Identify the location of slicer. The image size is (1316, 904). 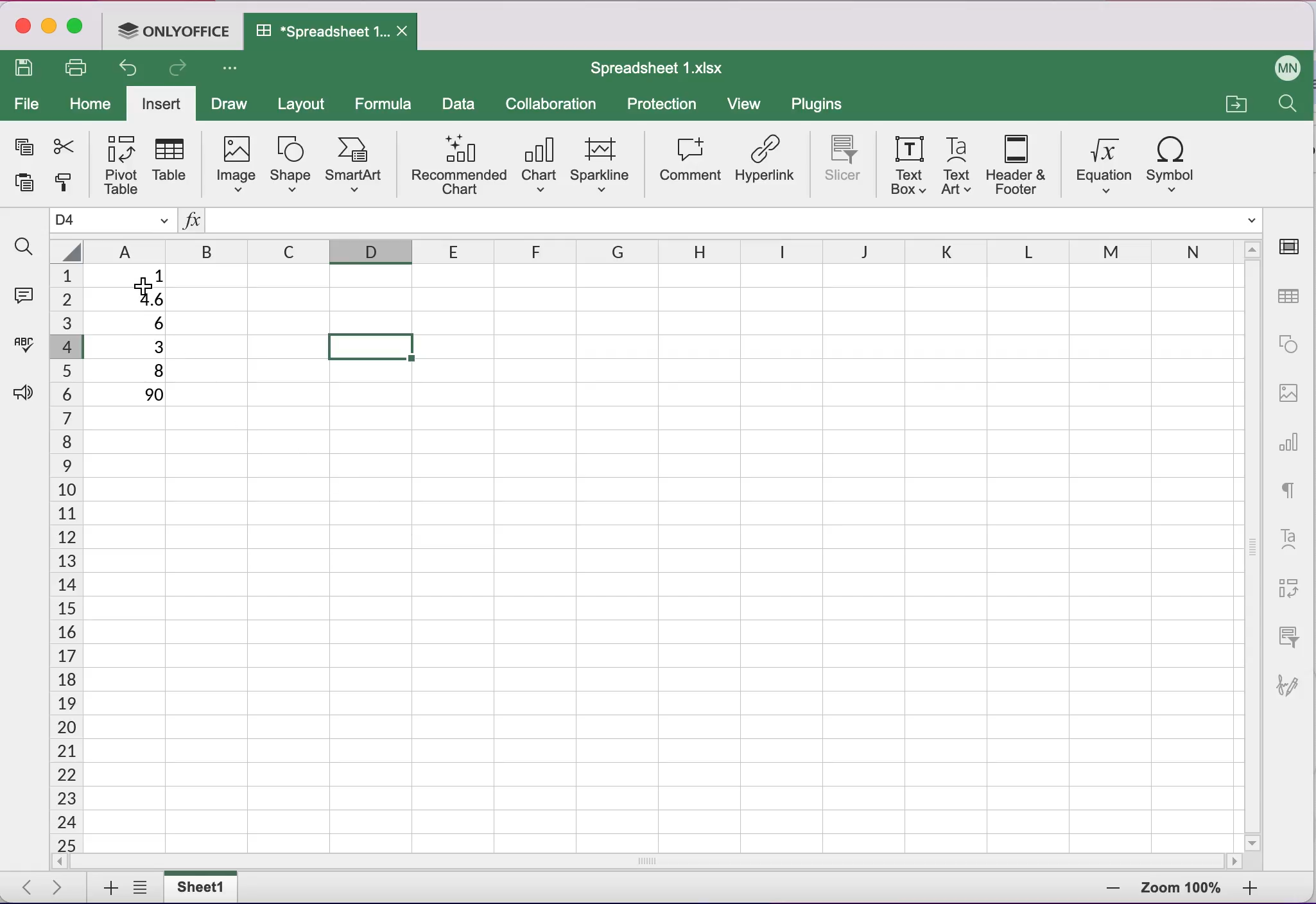
(1287, 640).